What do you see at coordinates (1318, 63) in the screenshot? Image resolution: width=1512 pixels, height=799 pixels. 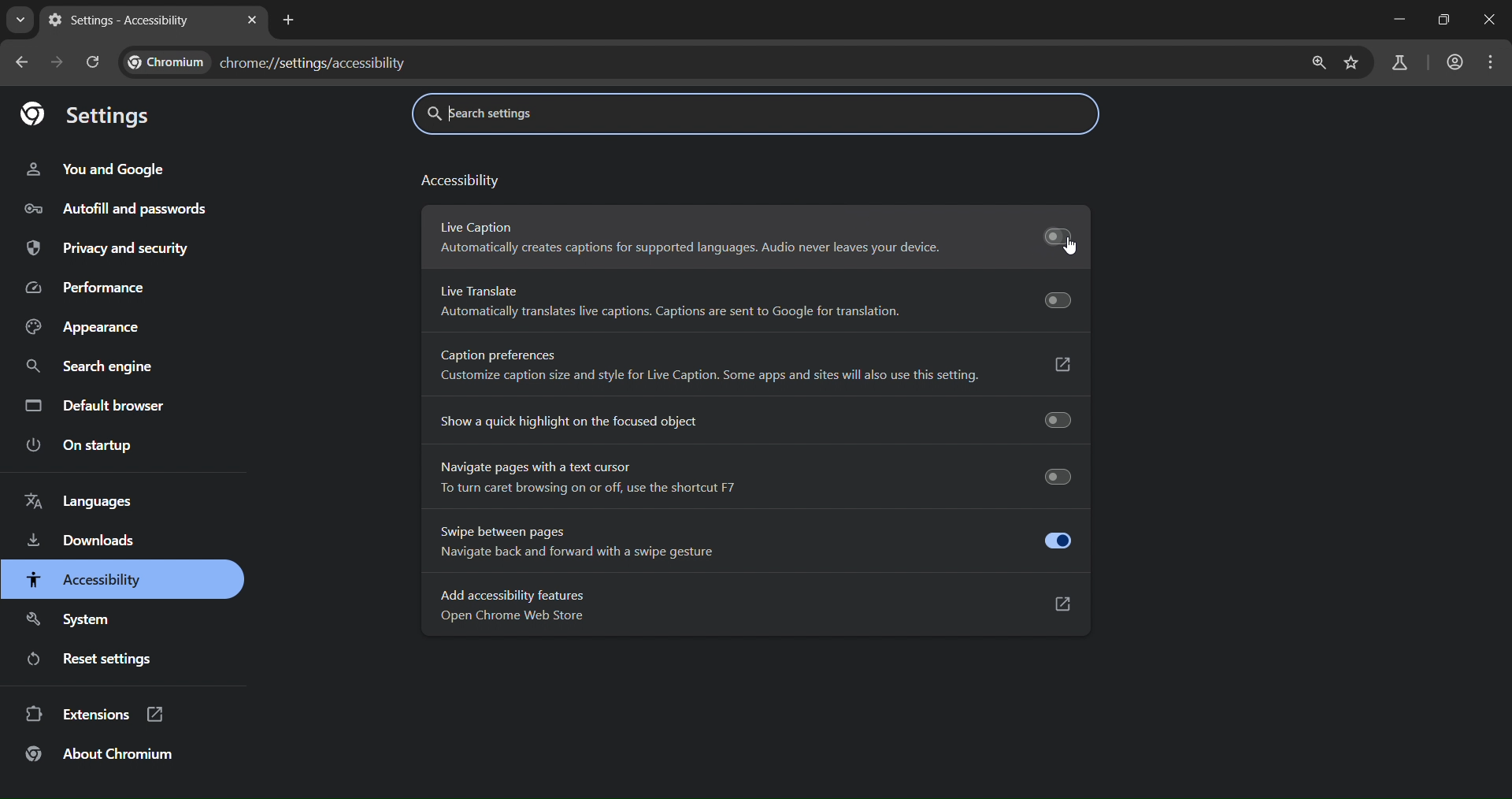 I see `zoom` at bounding box center [1318, 63].